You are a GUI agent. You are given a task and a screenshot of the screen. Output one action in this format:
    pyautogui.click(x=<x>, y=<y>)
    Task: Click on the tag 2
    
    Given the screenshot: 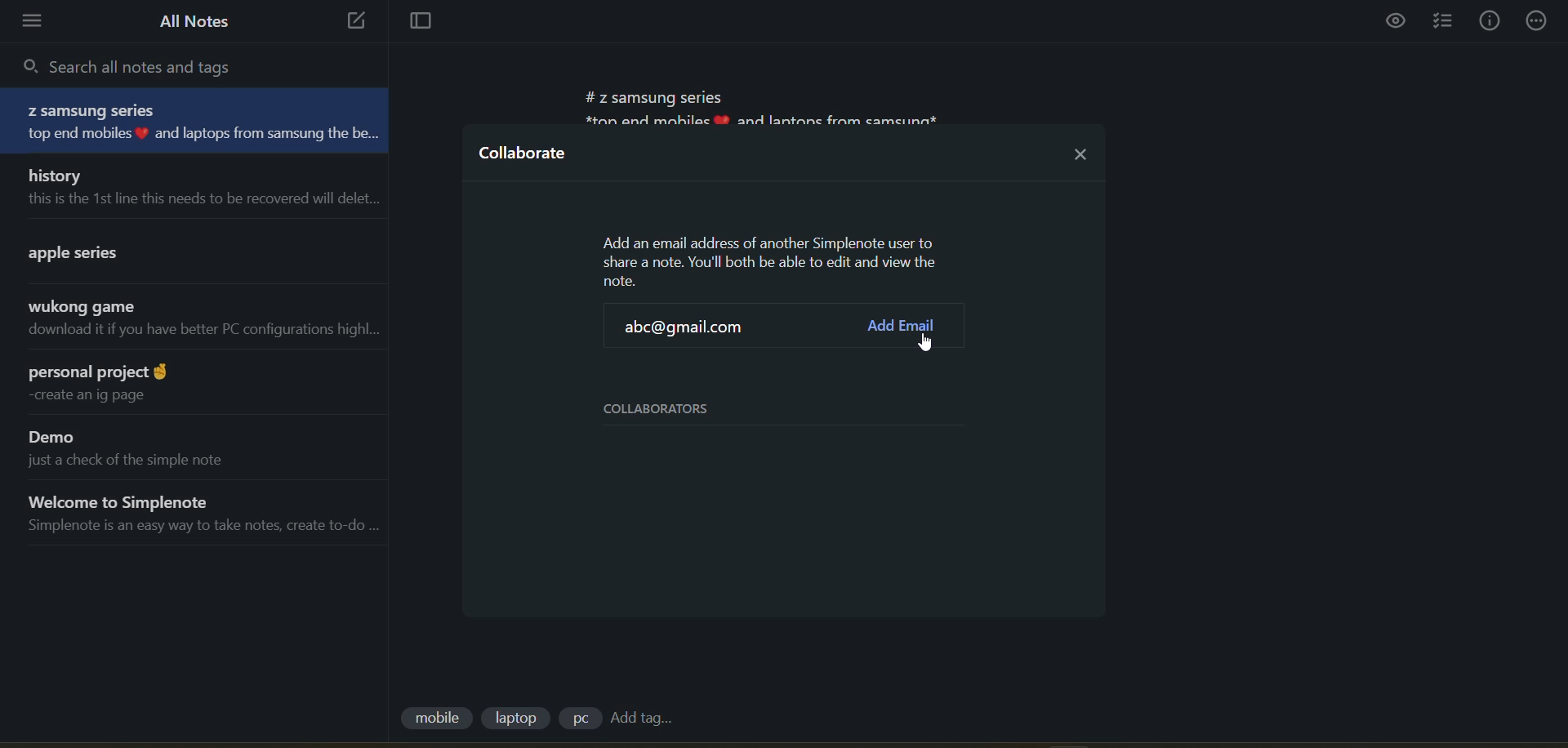 What is the action you would take?
    pyautogui.click(x=519, y=718)
    